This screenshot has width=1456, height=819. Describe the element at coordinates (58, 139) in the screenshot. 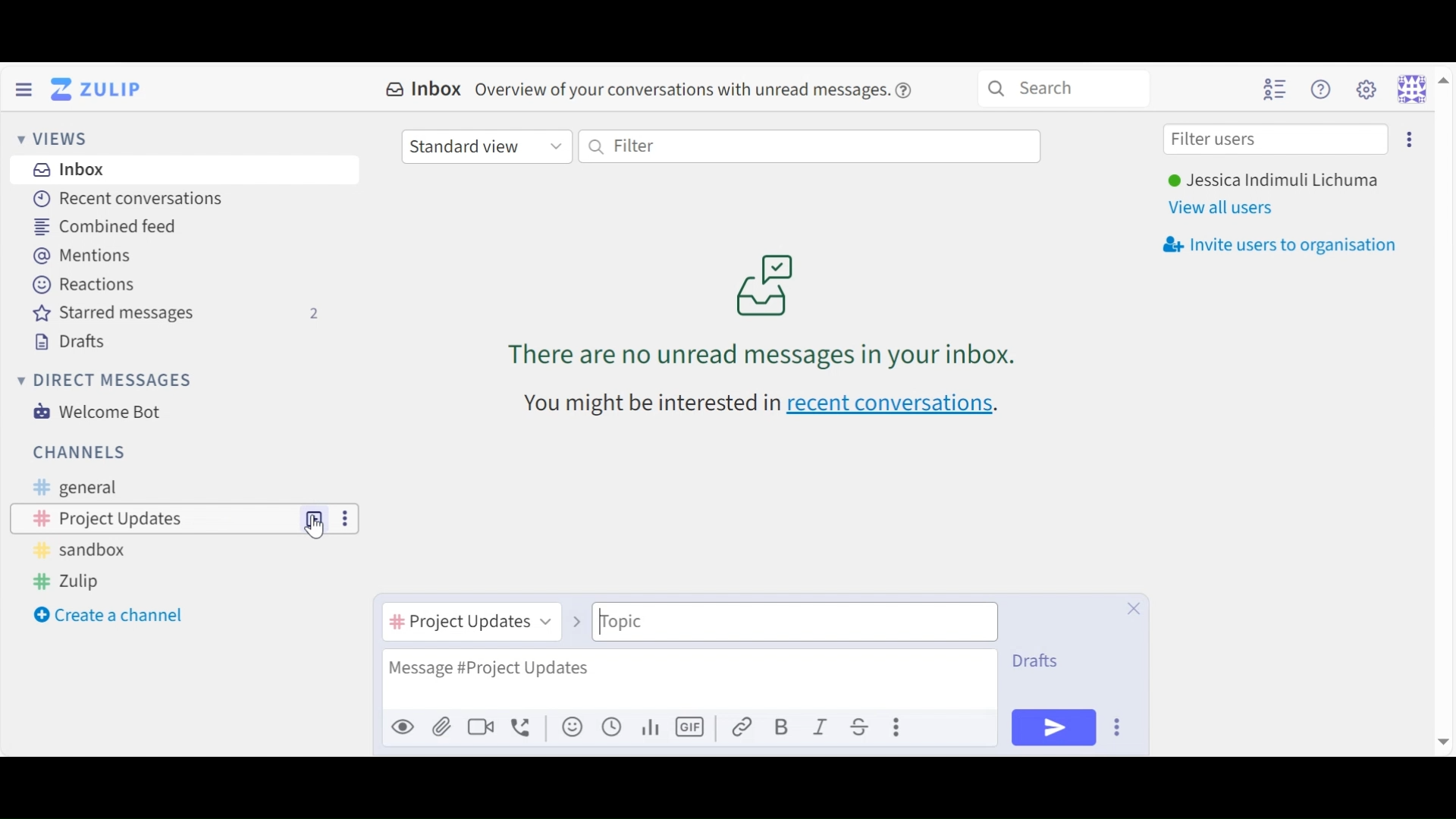

I see `Views` at that location.